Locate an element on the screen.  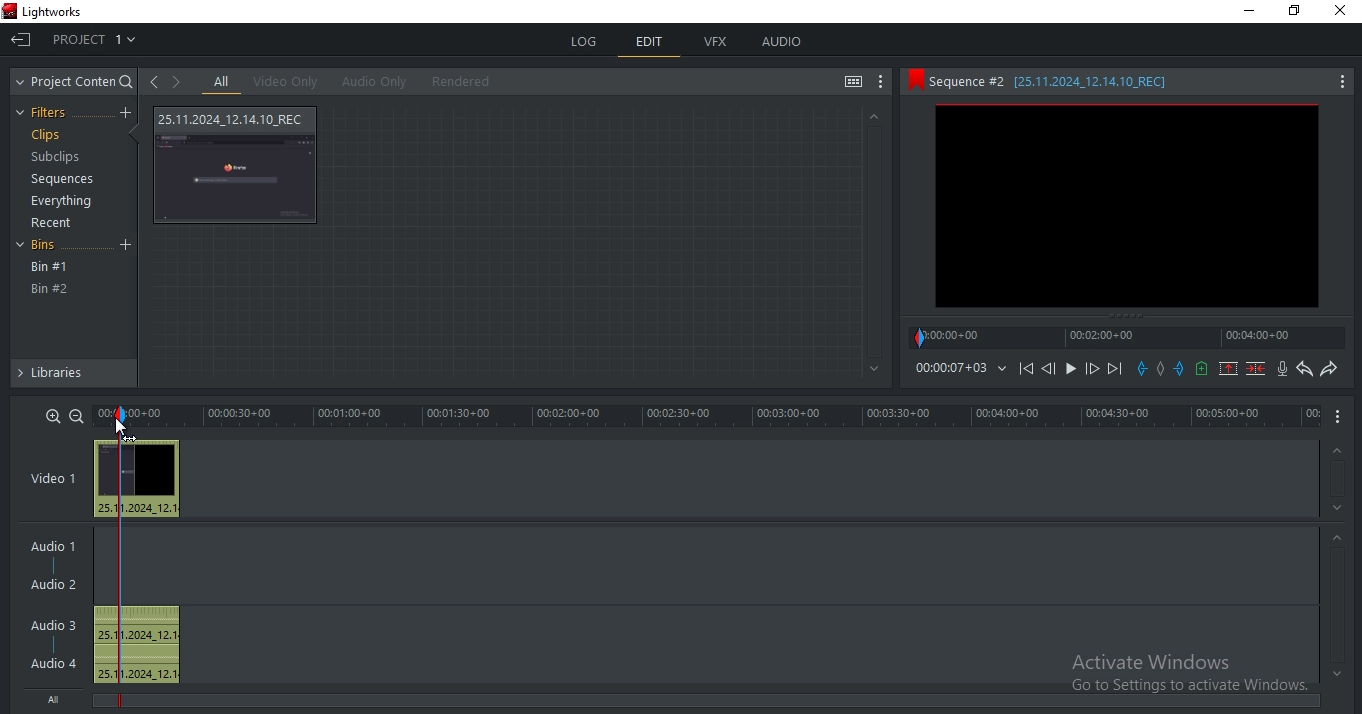
Previous is located at coordinates (1048, 368).